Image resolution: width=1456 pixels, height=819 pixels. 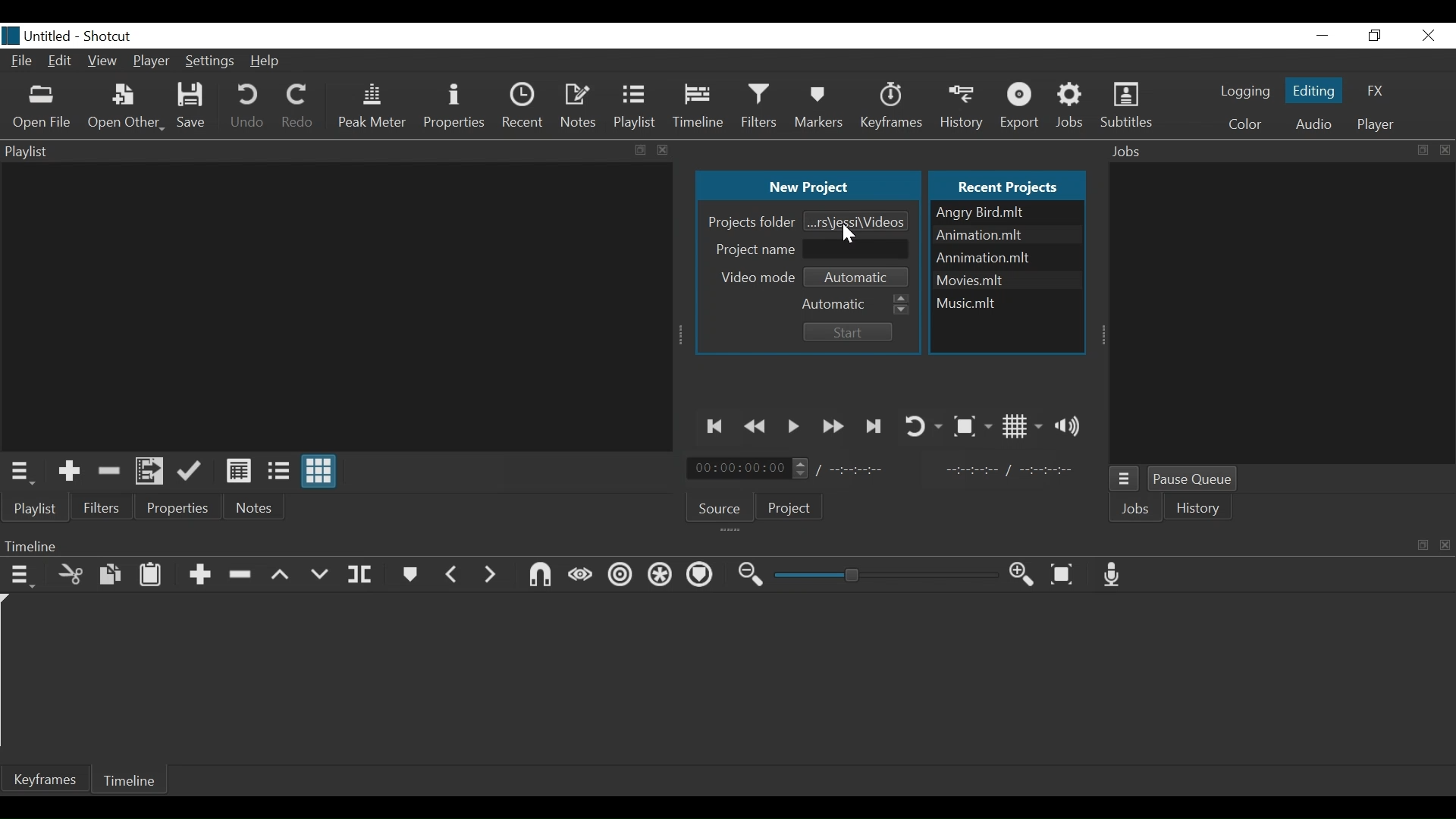 I want to click on istory, so click(x=1202, y=508).